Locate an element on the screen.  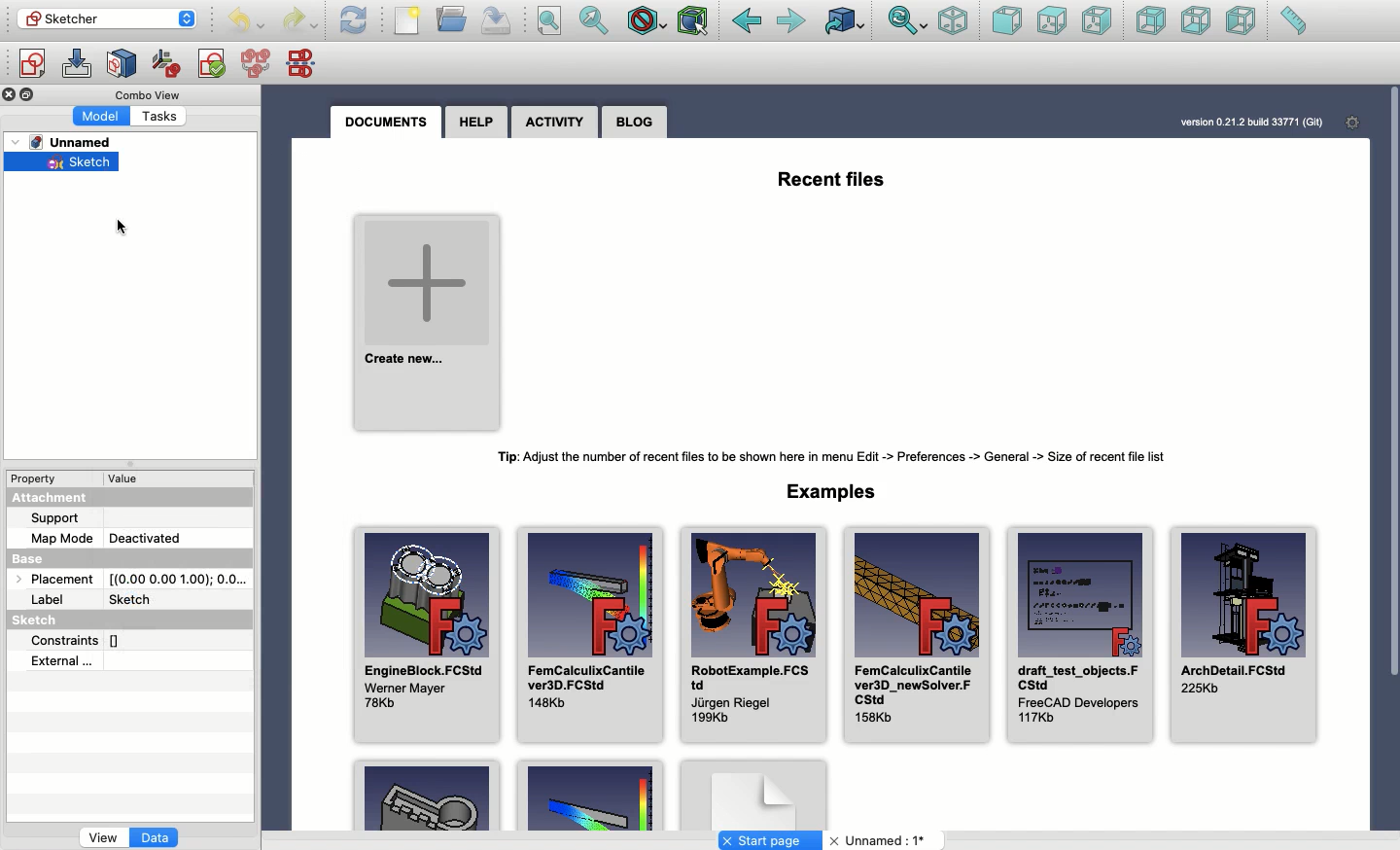
Examples is located at coordinates (589, 797).